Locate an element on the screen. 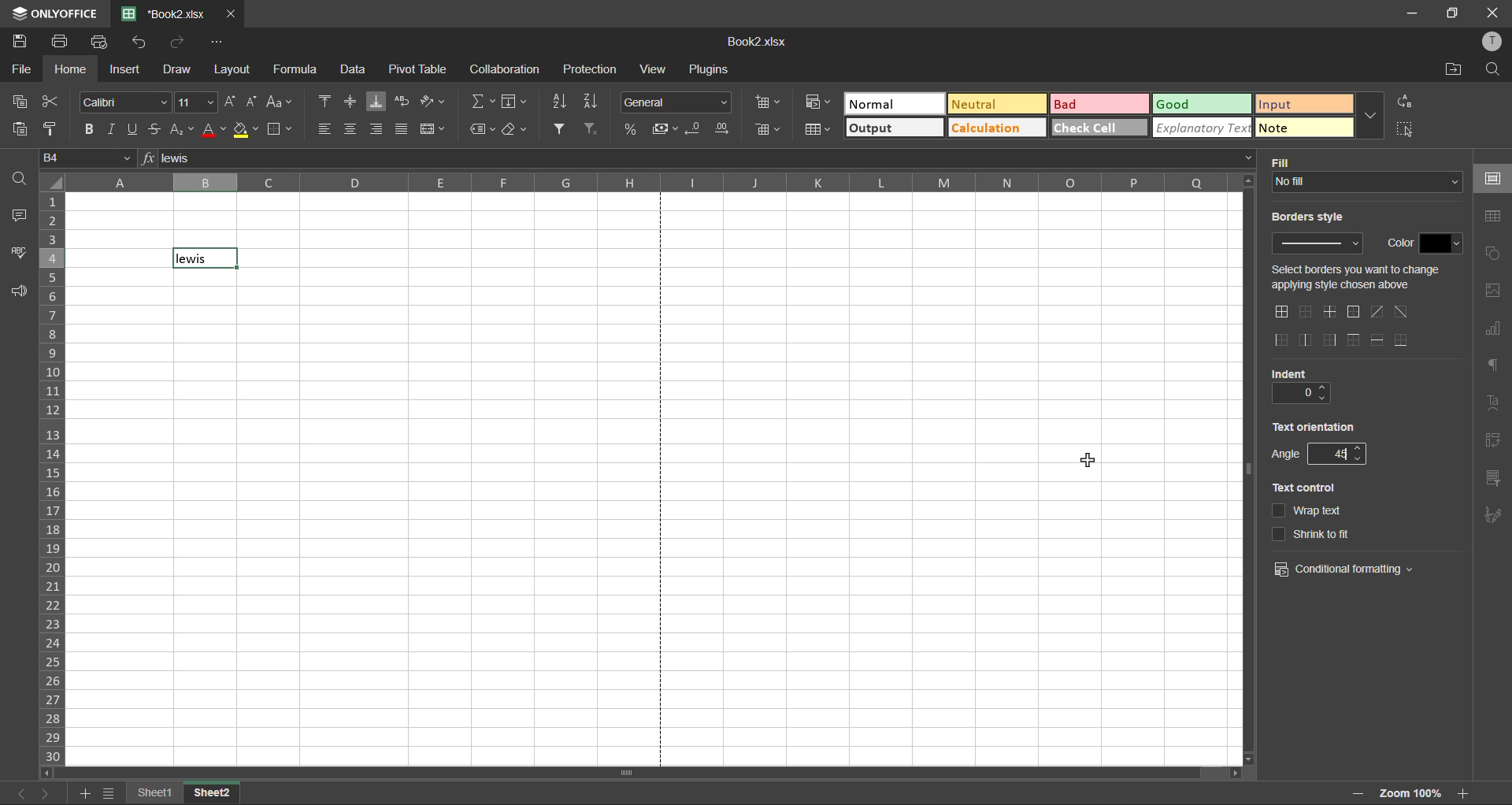 The width and height of the screenshot is (1512, 805). outside borders only is located at coordinates (1351, 312).